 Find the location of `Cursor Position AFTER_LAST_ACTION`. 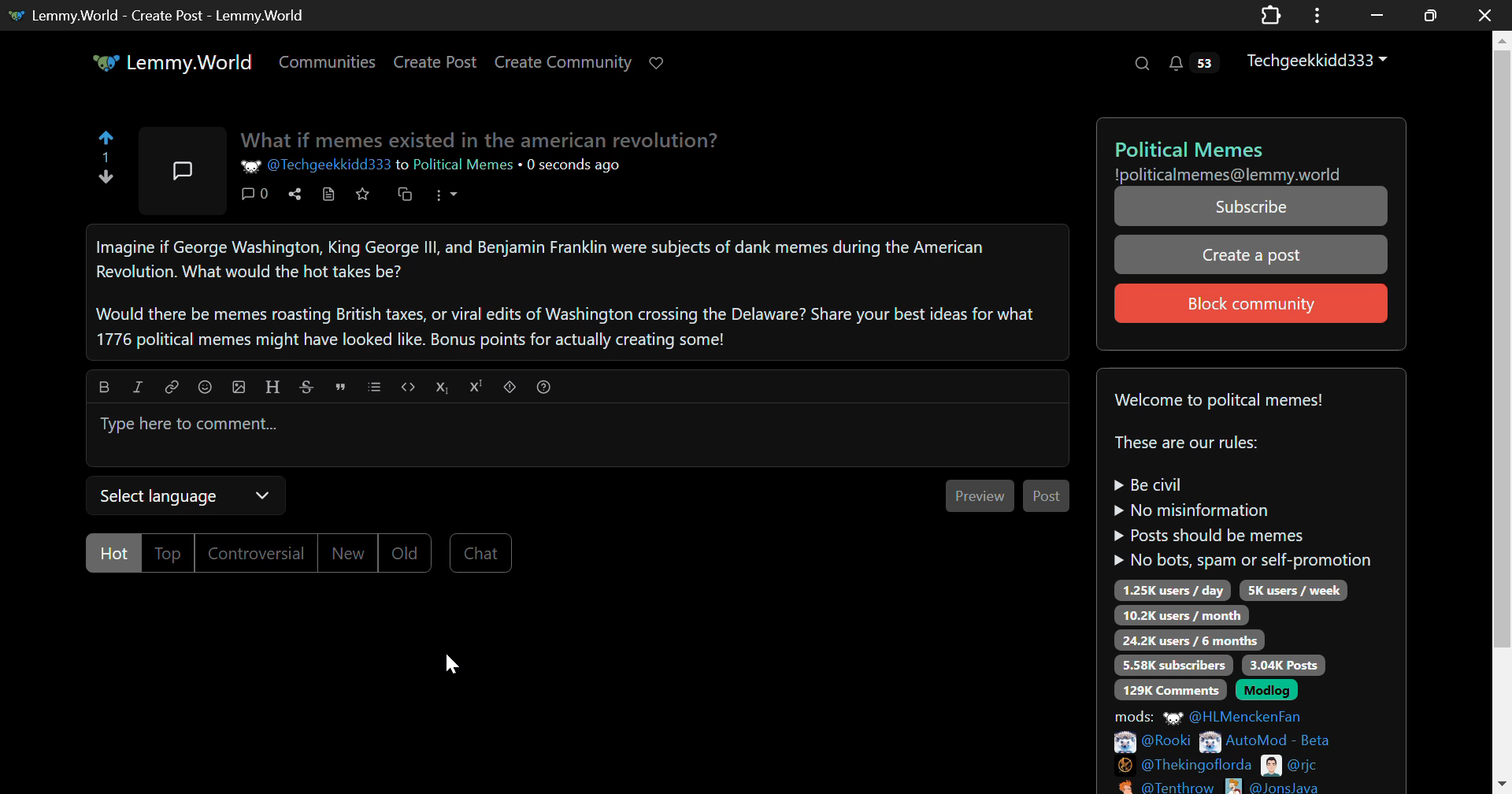

Cursor Position AFTER_LAST_ACTION is located at coordinates (454, 666).